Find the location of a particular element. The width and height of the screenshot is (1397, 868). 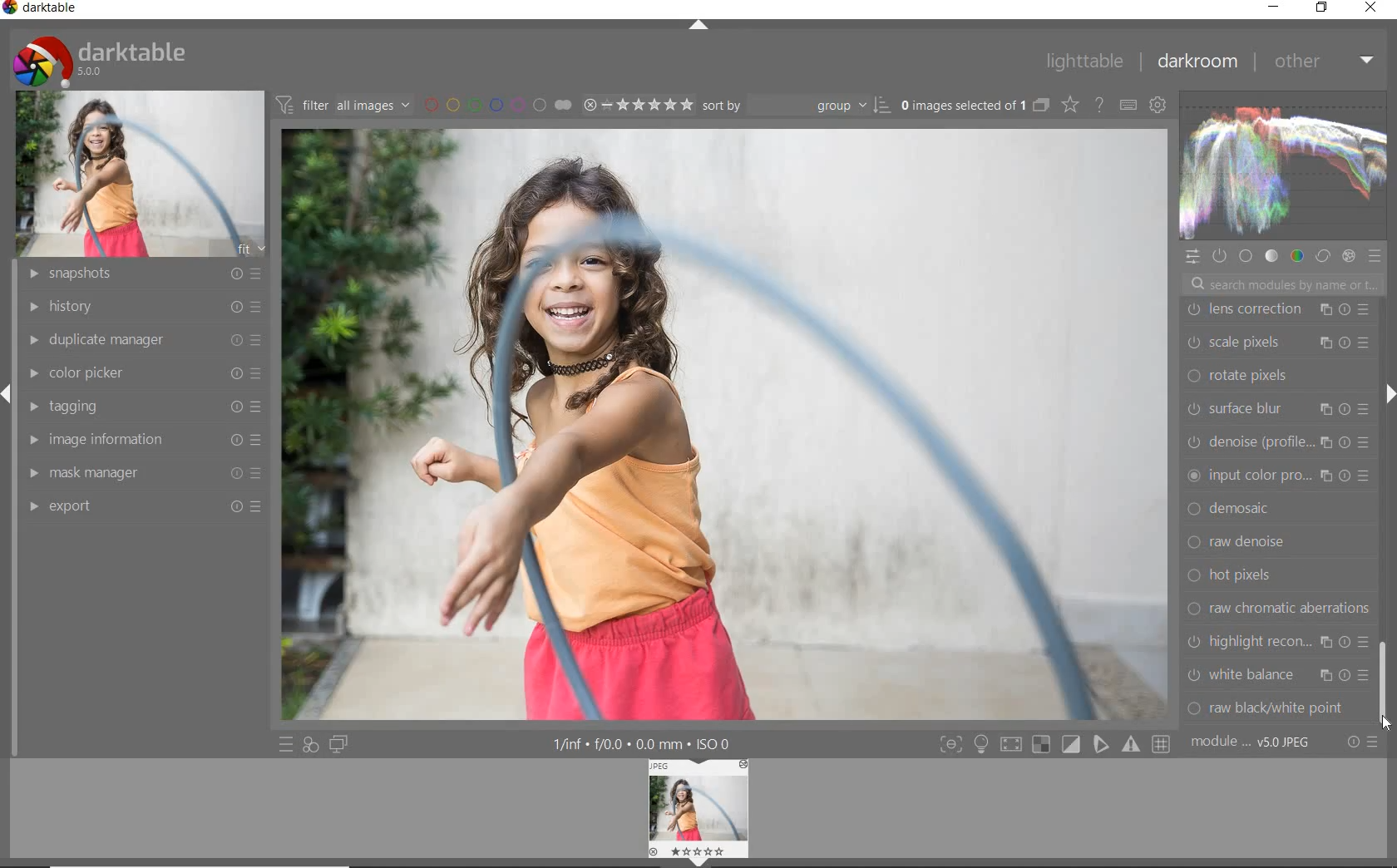

monochrome is located at coordinates (1281, 614).